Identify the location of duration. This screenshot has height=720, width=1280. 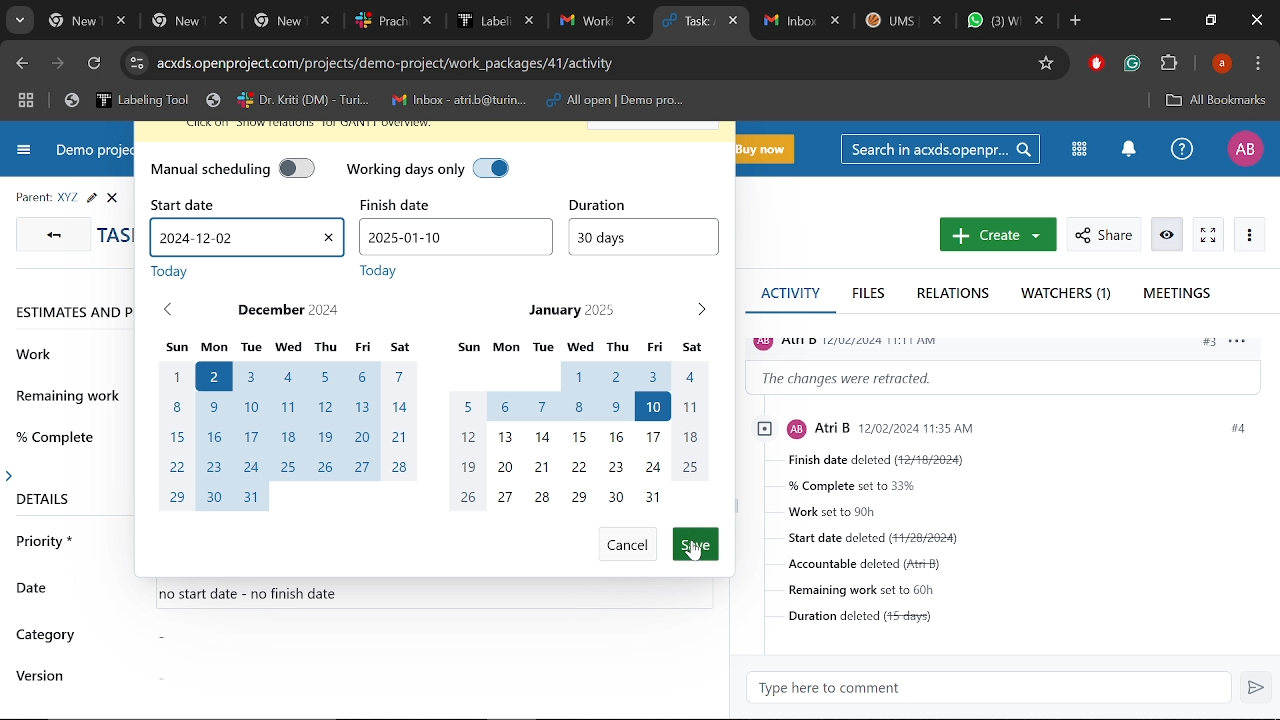
(604, 203).